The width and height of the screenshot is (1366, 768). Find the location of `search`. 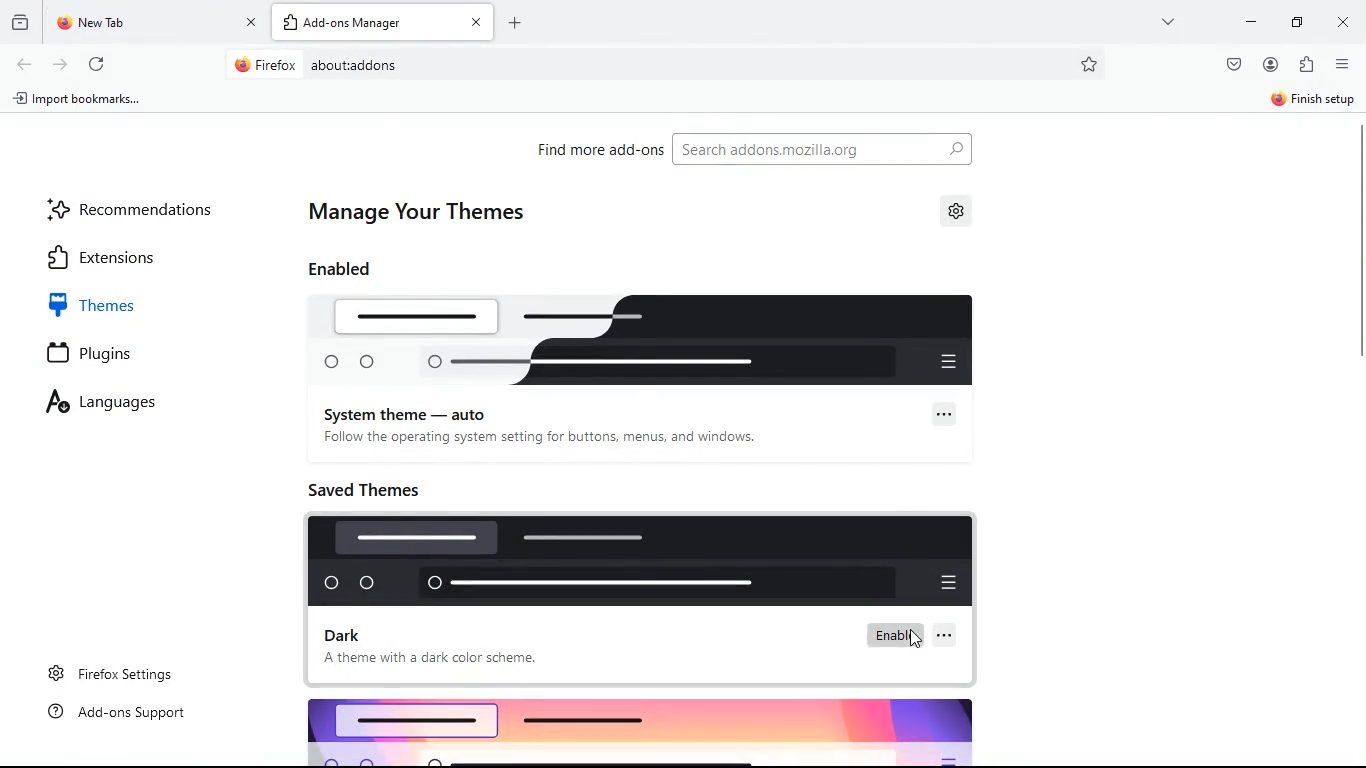

search is located at coordinates (841, 149).